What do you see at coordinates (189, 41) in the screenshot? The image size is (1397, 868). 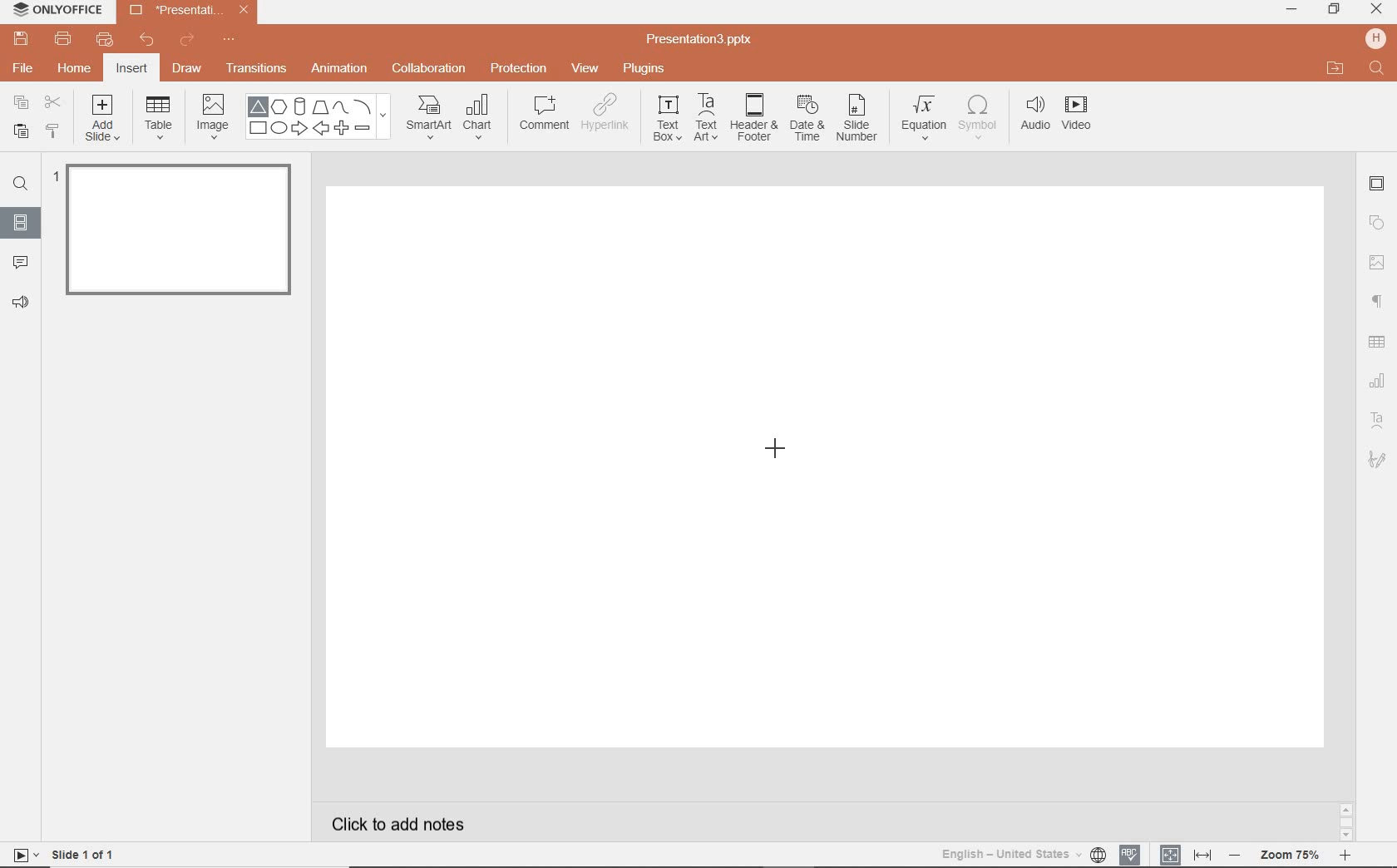 I see `REDO` at bounding box center [189, 41].